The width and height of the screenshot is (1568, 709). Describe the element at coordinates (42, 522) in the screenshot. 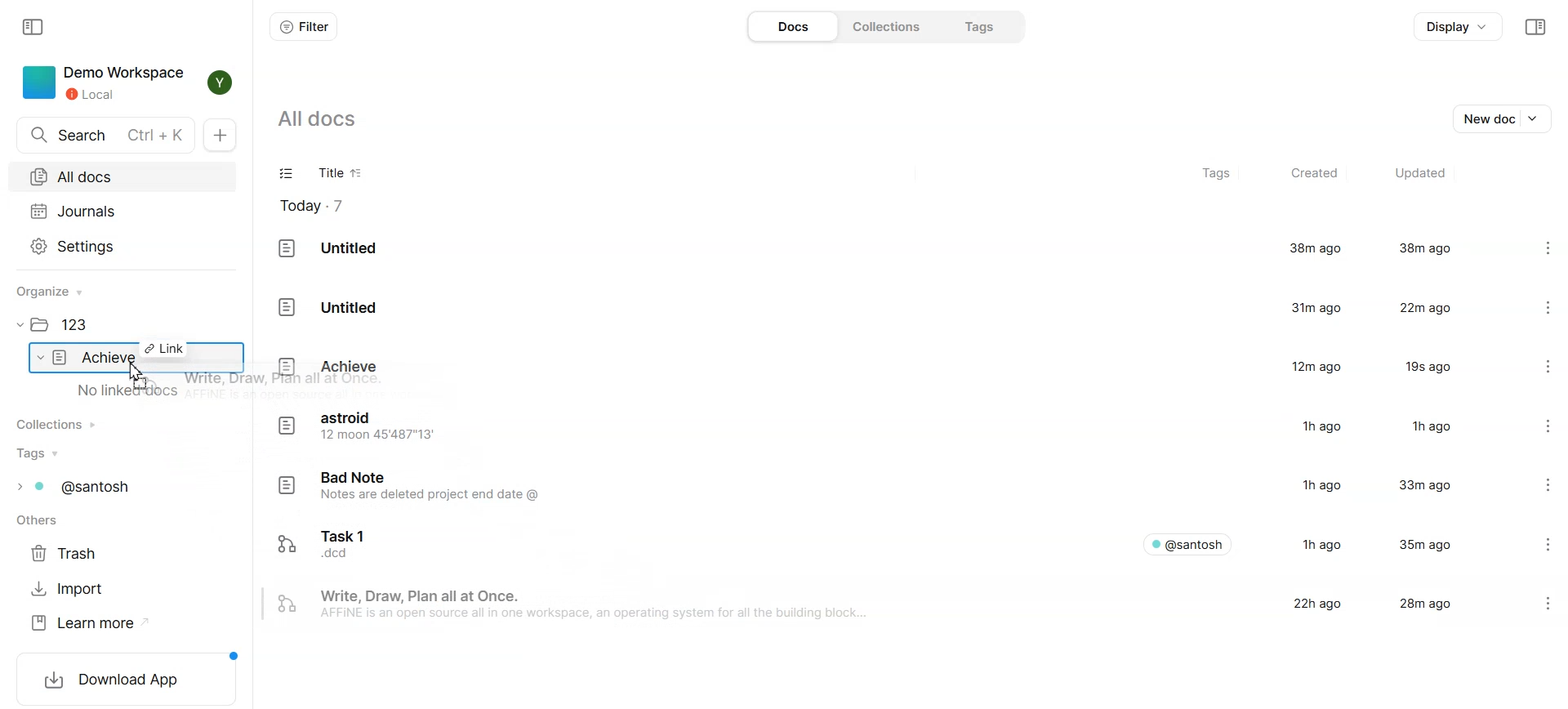

I see `Others` at that location.